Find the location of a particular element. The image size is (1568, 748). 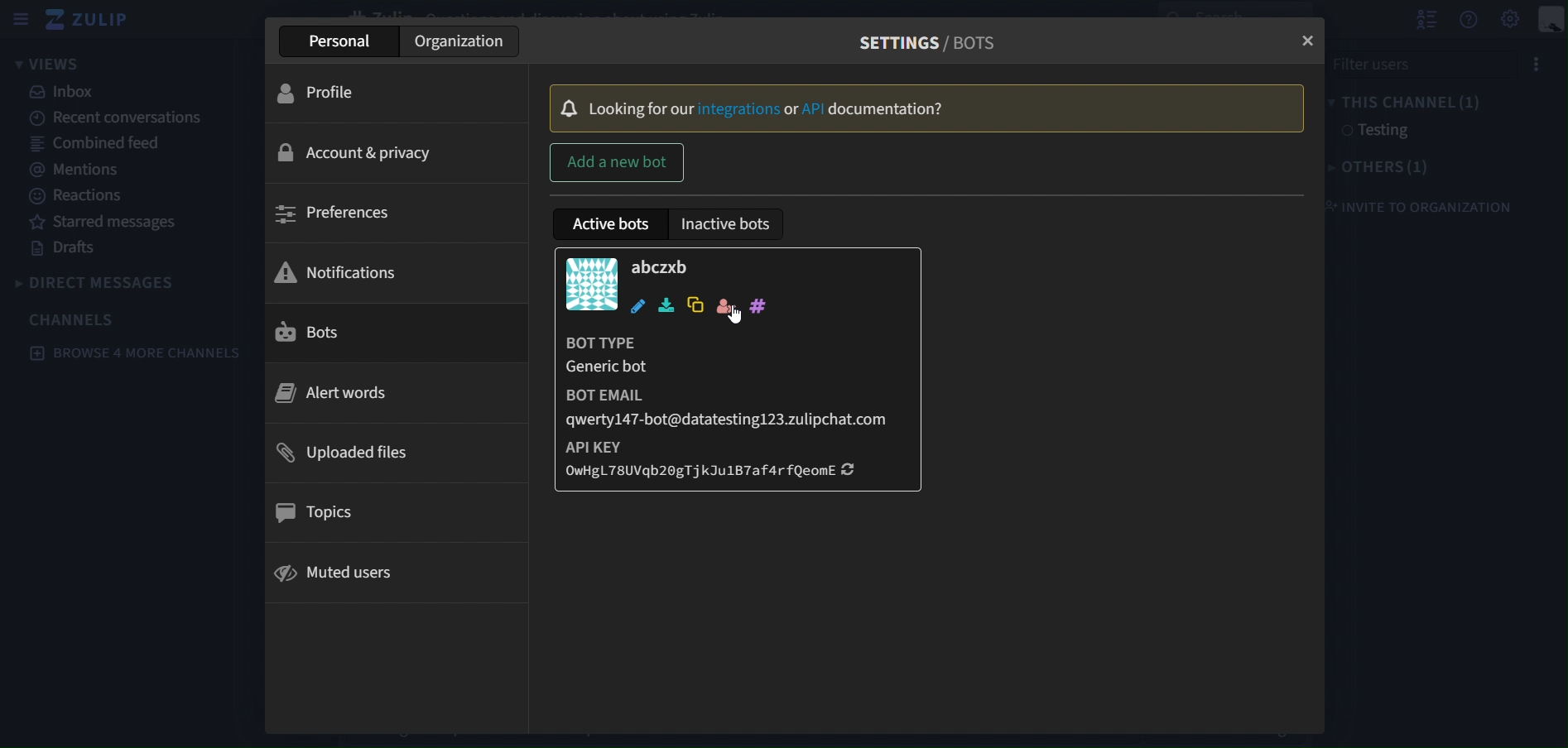

cursor is located at coordinates (733, 317).